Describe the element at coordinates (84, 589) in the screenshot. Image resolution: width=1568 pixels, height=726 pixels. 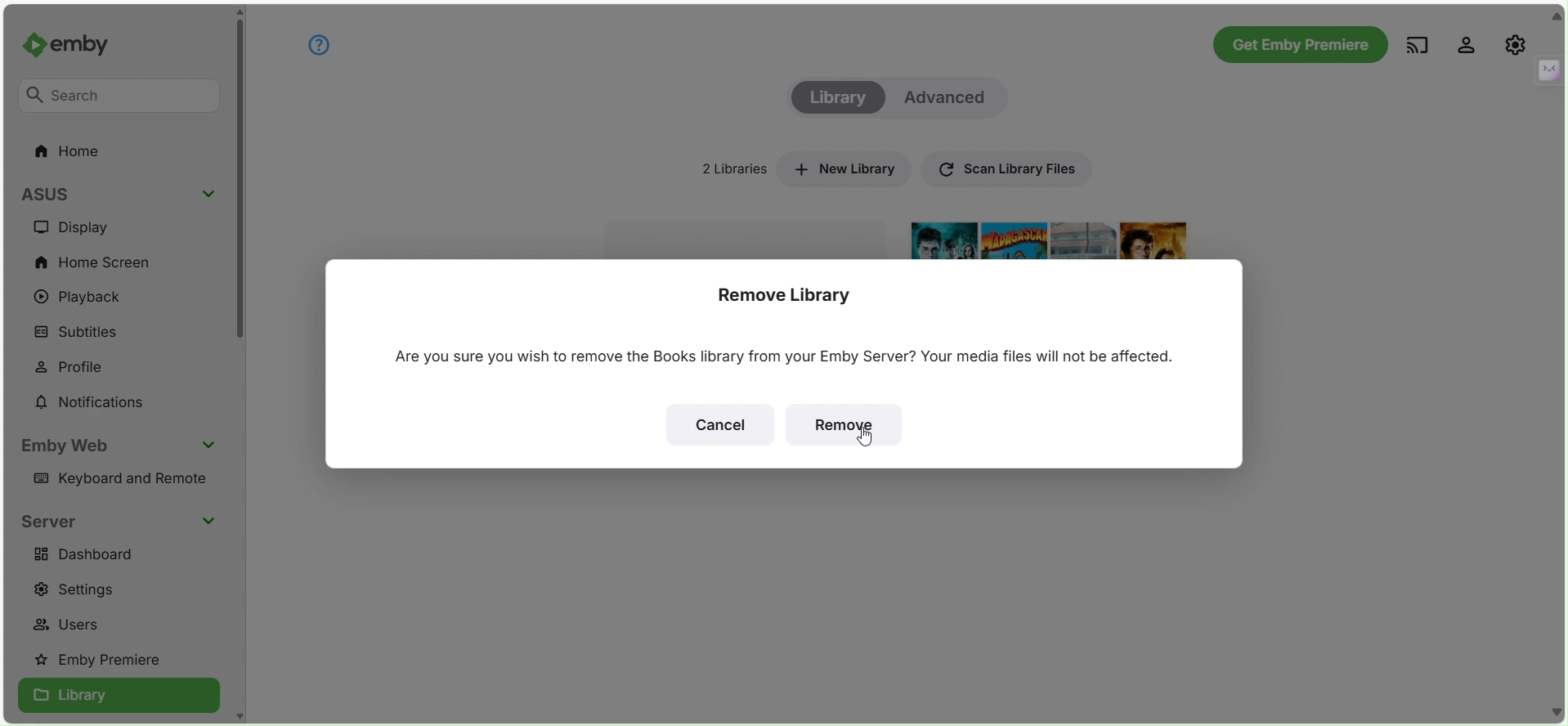
I see `Settings` at that location.